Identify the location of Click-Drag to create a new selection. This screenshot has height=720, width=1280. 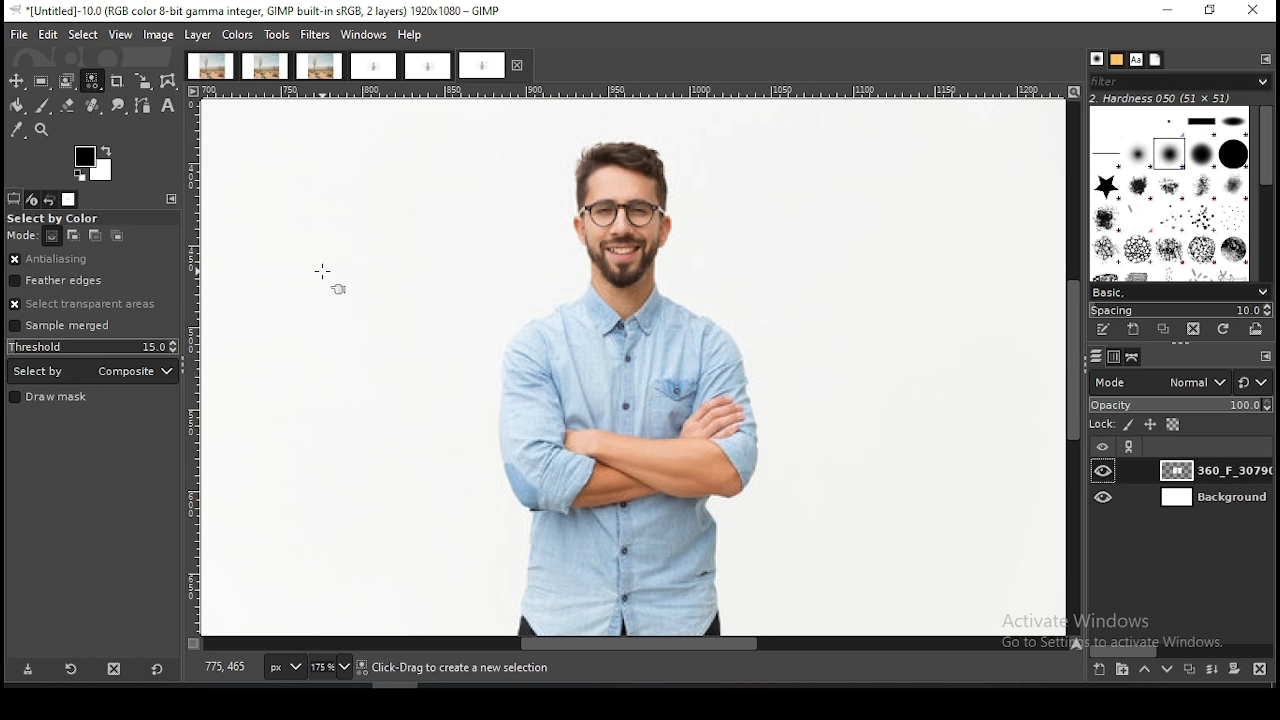
(461, 668).